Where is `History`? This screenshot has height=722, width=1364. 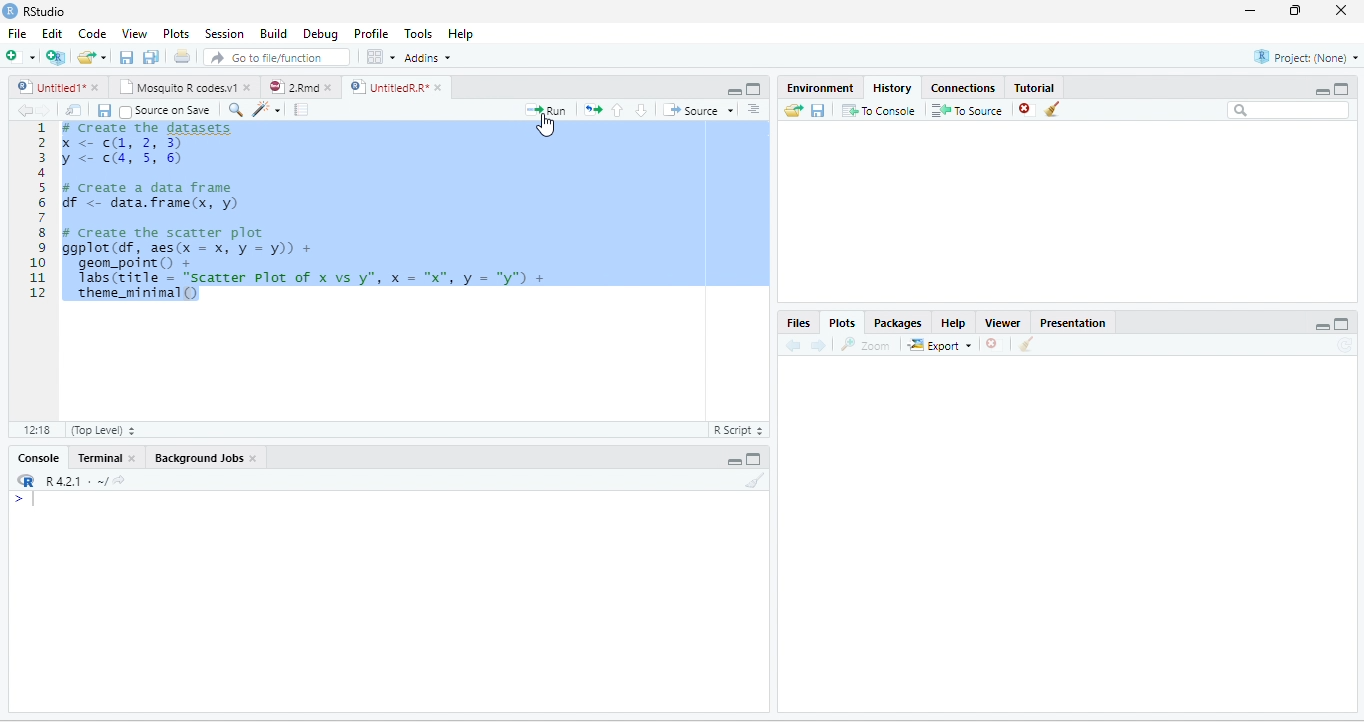
History is located at coordinates (891, 88).